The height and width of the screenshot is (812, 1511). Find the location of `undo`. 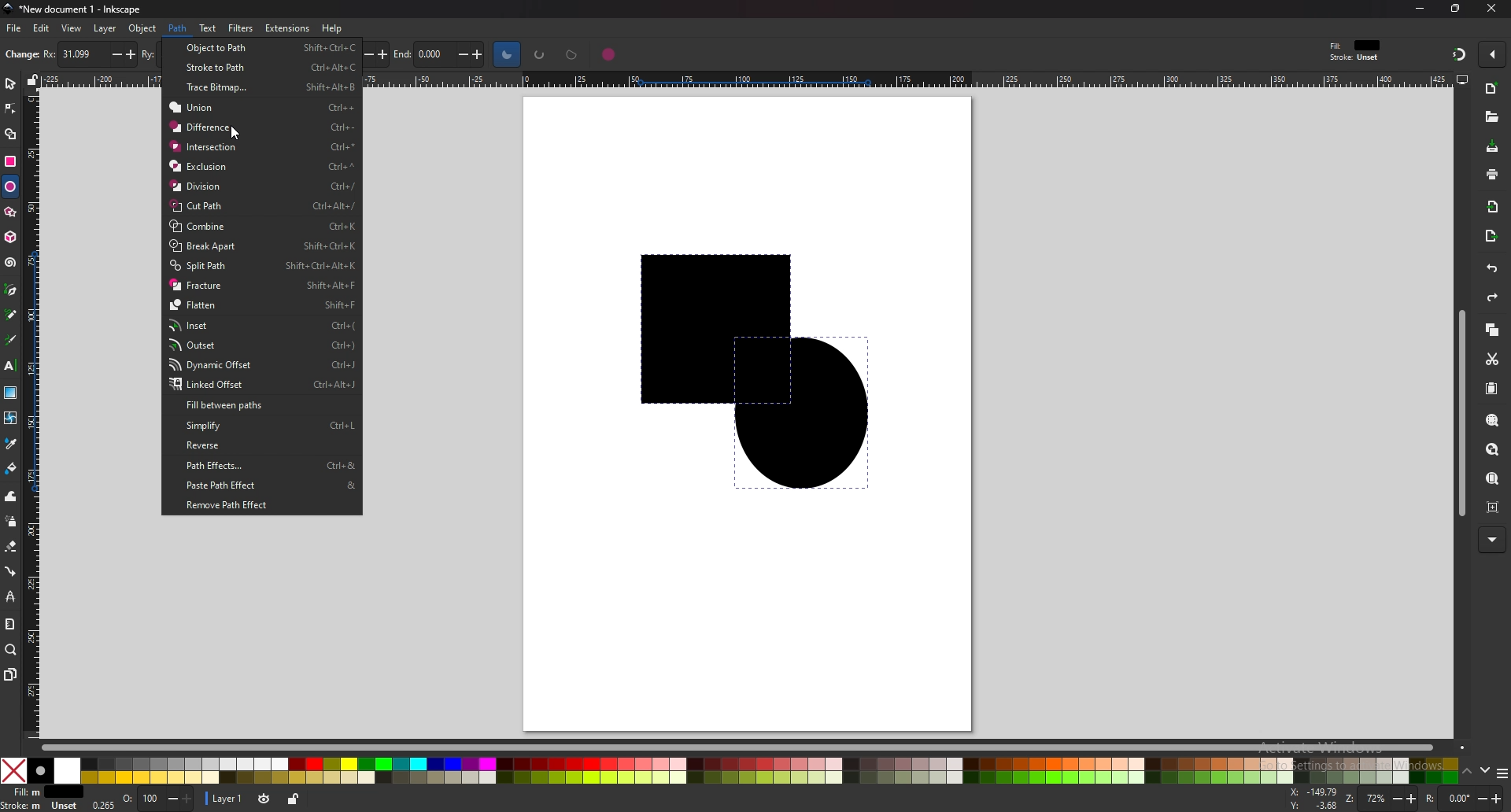

undo is located at coordinates (1491, 269).